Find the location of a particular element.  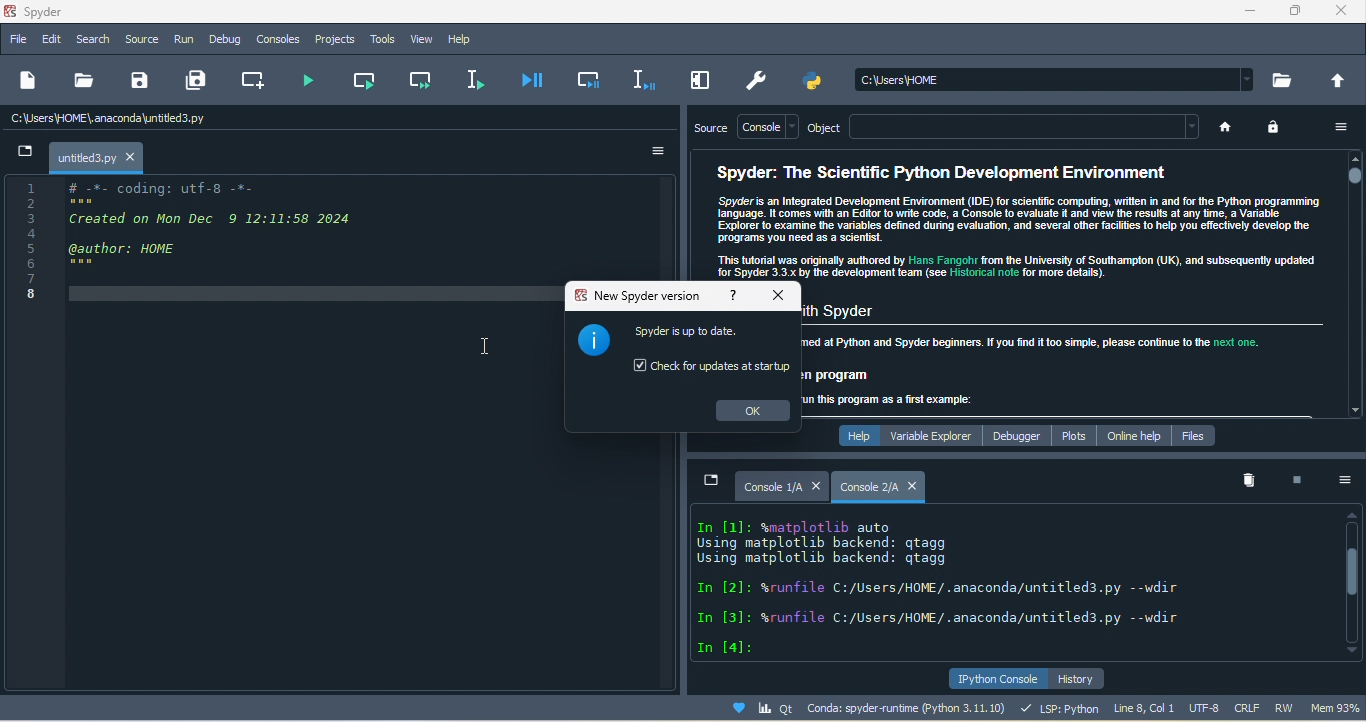

minimize is located at coordinates (26, 154).